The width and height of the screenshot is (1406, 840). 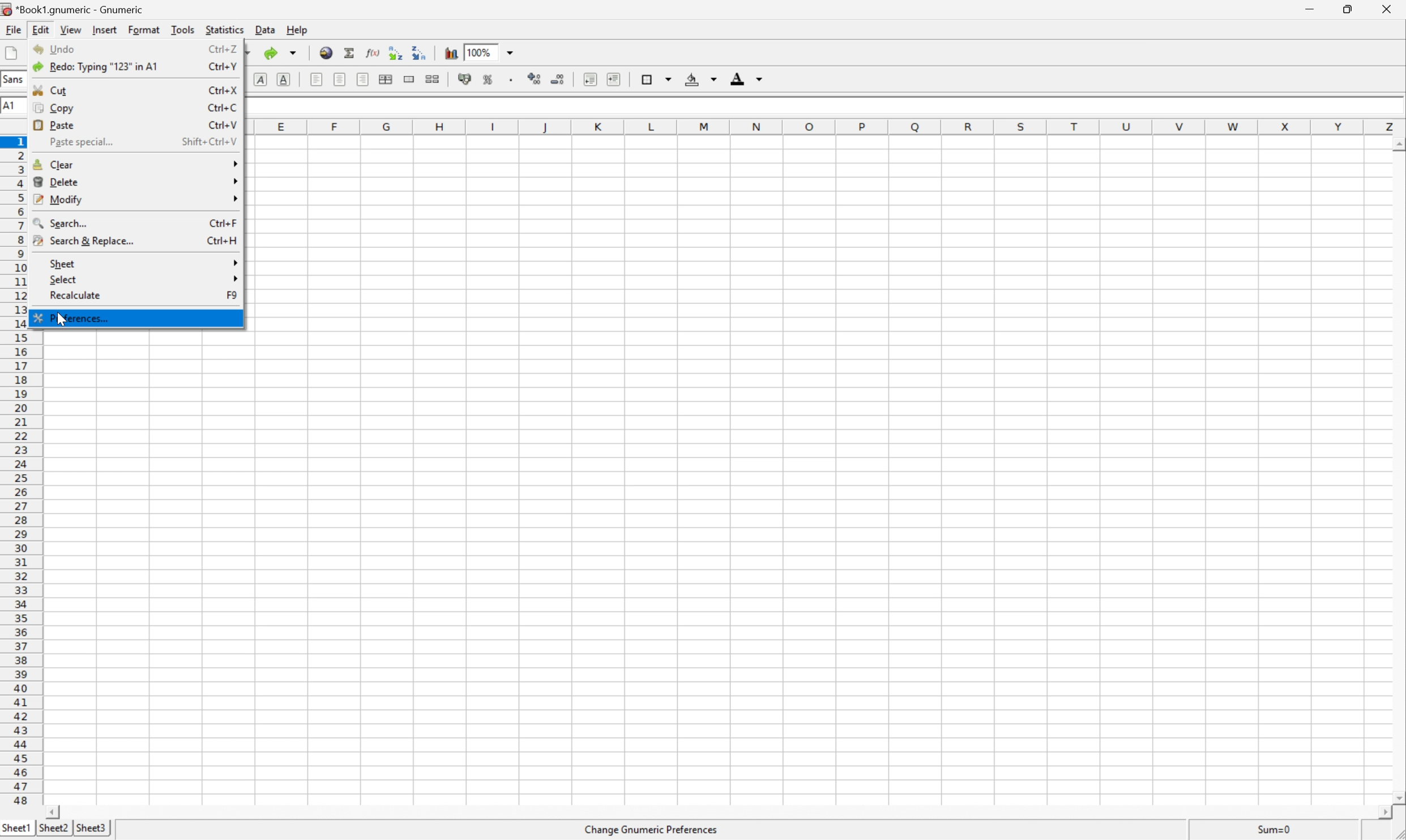 I want to click on clear, so click(x=135, y=166).